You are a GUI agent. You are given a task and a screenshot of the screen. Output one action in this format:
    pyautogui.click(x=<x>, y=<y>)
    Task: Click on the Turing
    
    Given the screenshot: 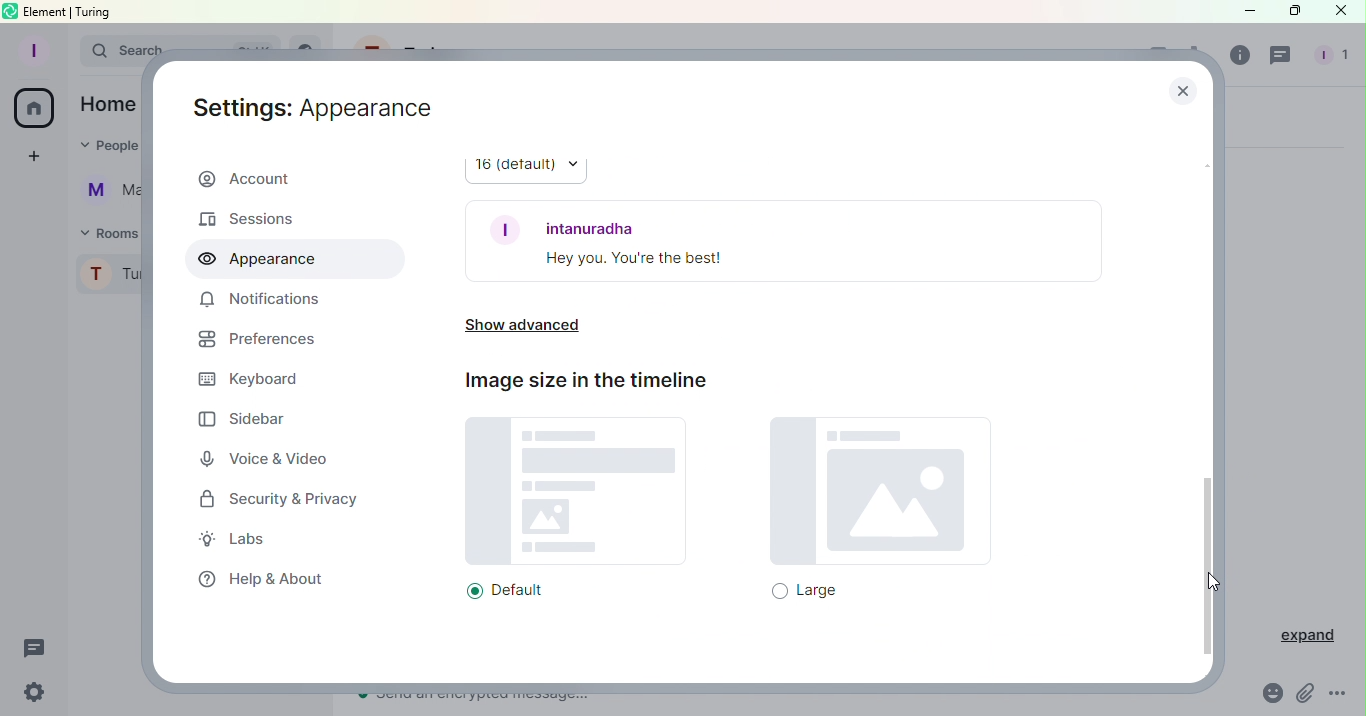 What is the action you would take?
    pyautogui.click(x=109, y=271)
    